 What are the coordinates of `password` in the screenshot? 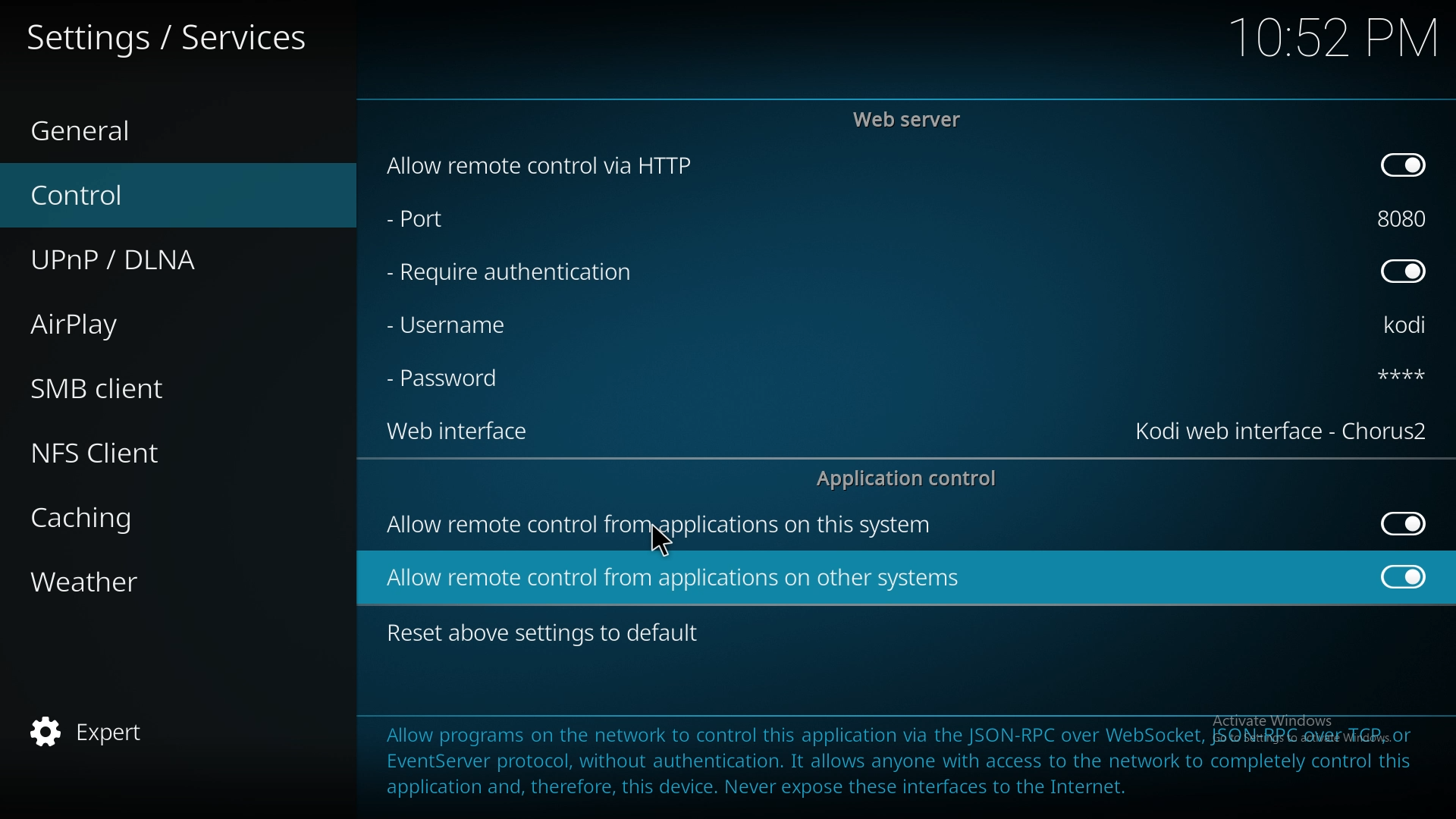 It's located at (1389, 374).